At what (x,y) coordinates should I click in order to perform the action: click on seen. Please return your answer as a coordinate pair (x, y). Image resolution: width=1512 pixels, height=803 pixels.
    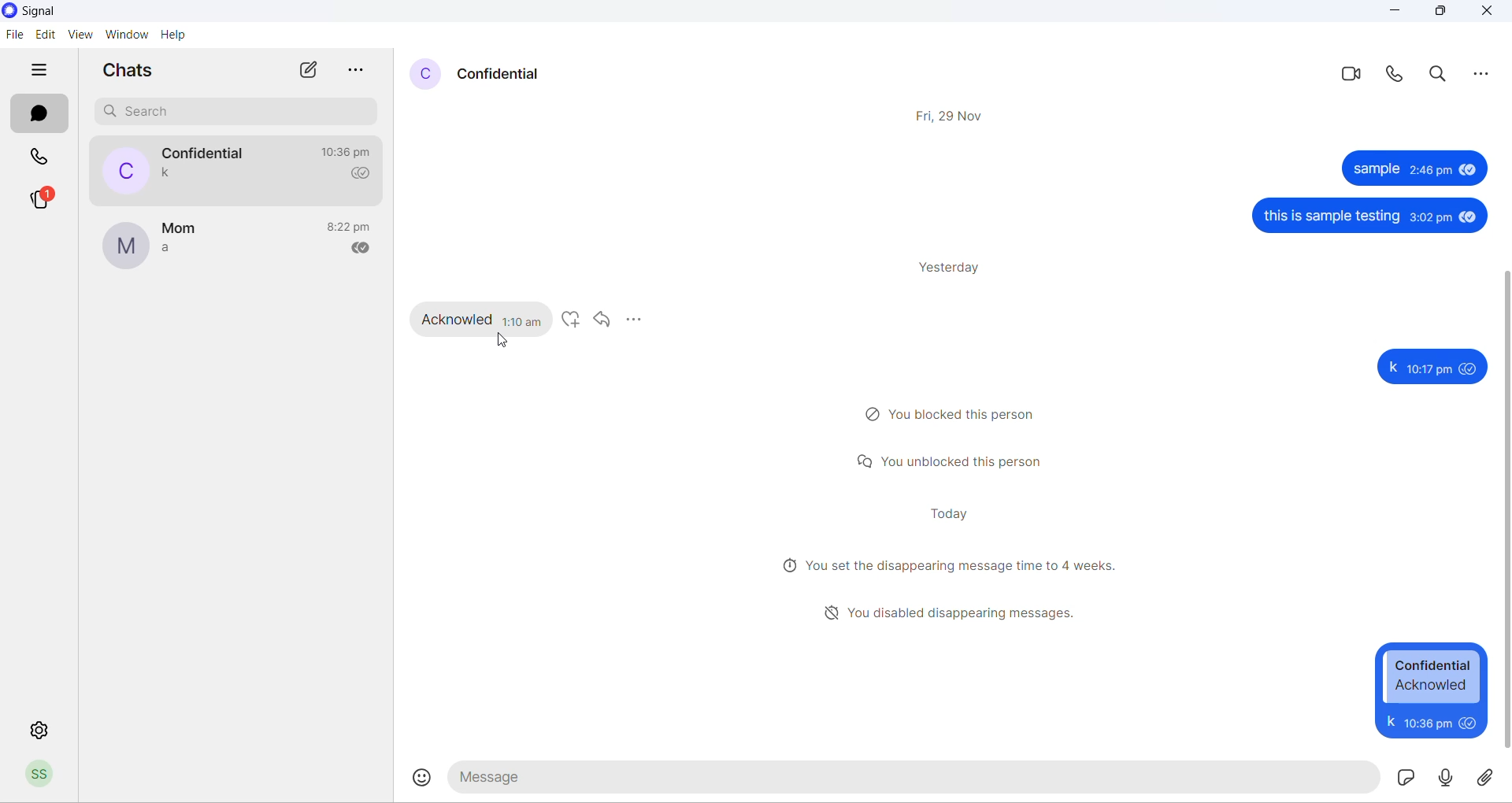
    Looking at the image, I should click on (1467, 216).